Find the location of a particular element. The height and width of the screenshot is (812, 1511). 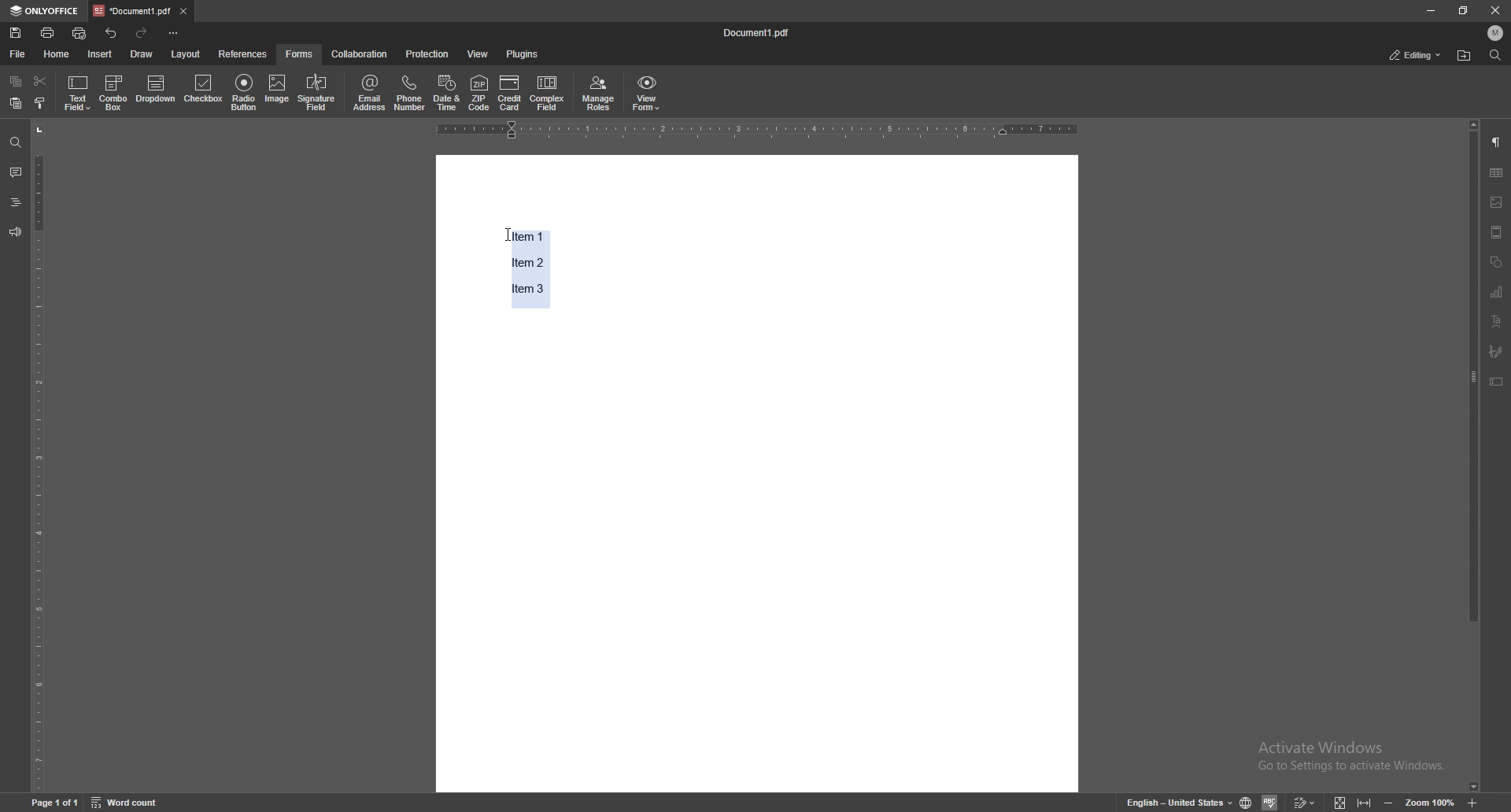

file name is located at coordinates (759, 31).